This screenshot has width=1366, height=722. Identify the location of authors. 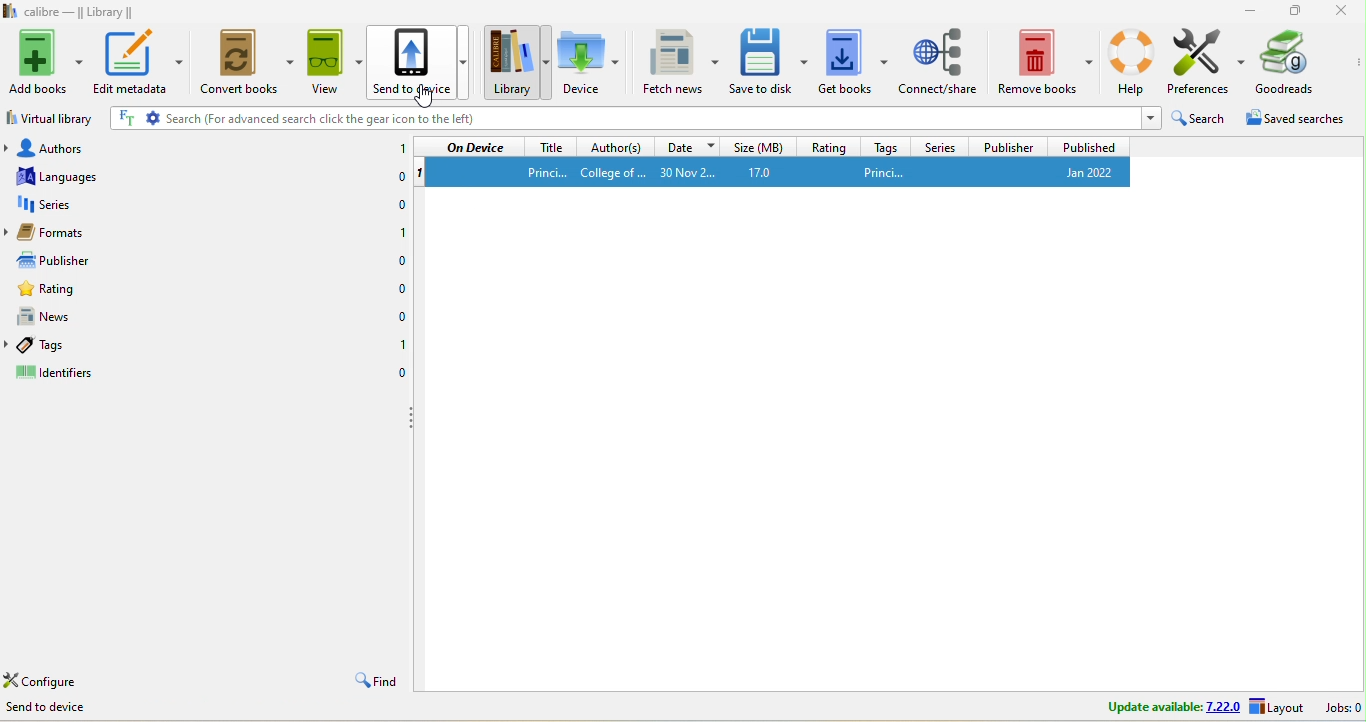
(186, 149).